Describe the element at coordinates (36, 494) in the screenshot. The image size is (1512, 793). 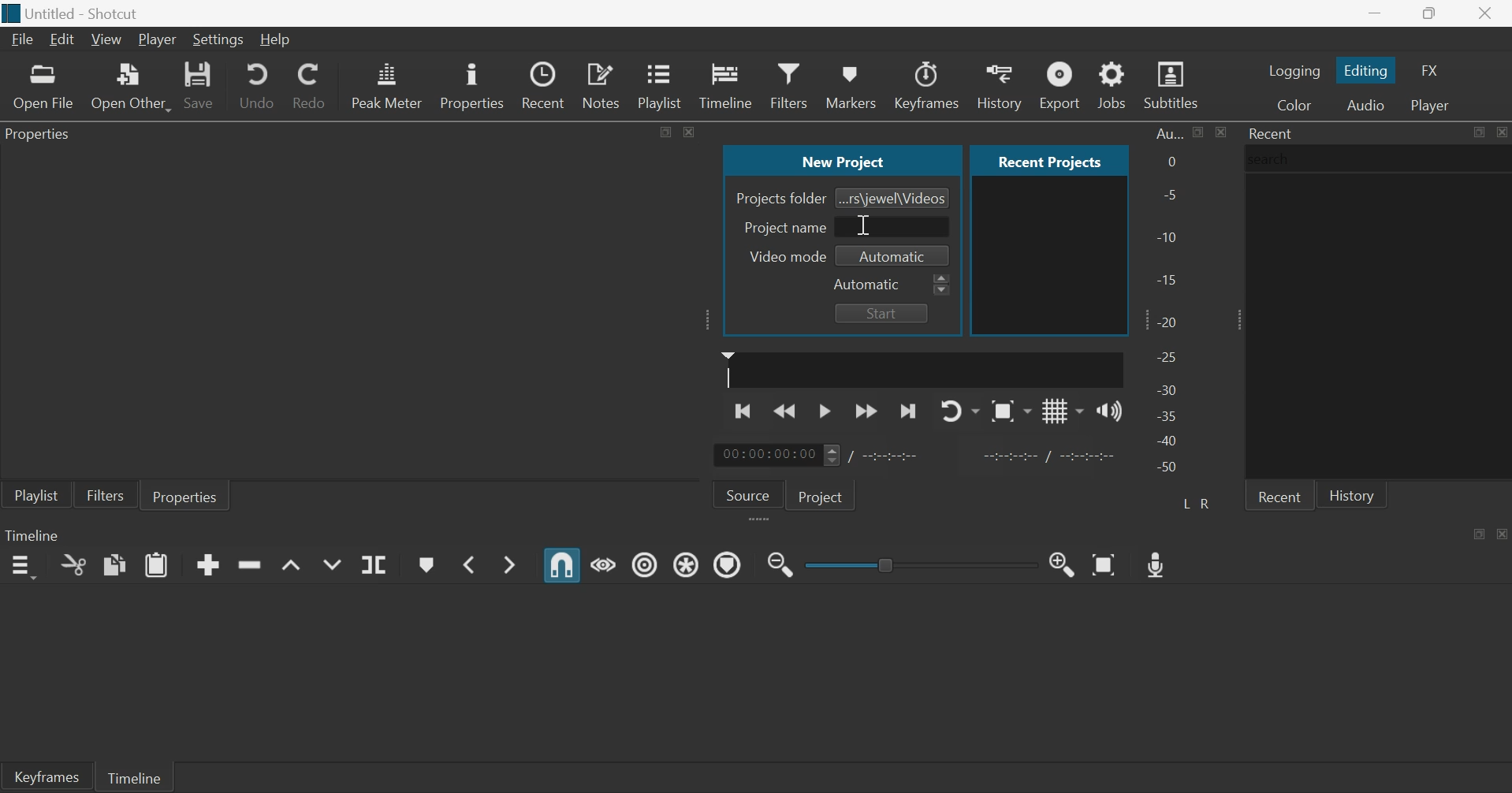
I see `Playlist` at that location.